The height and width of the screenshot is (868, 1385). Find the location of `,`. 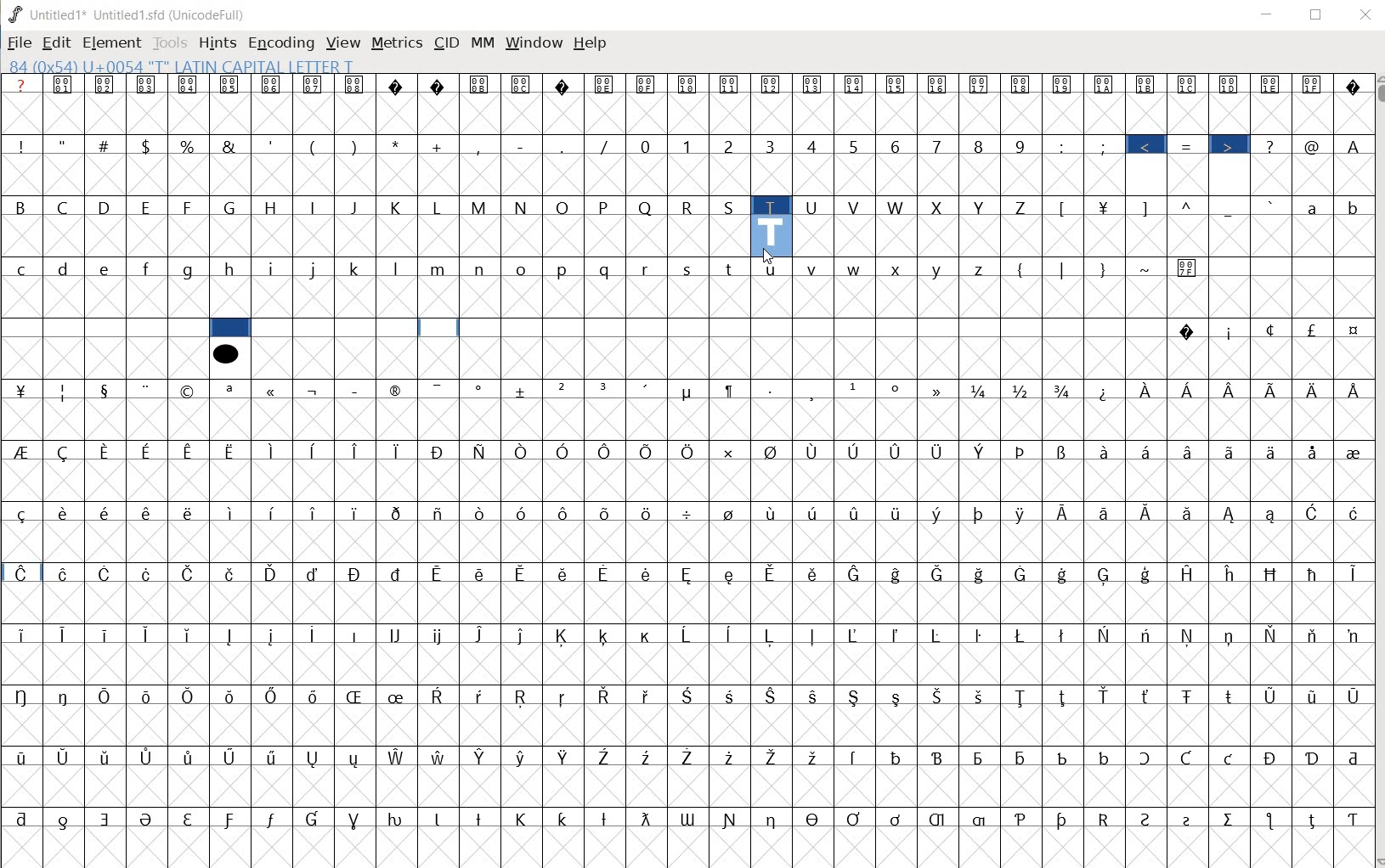

, is located at coordinates (480, 146).